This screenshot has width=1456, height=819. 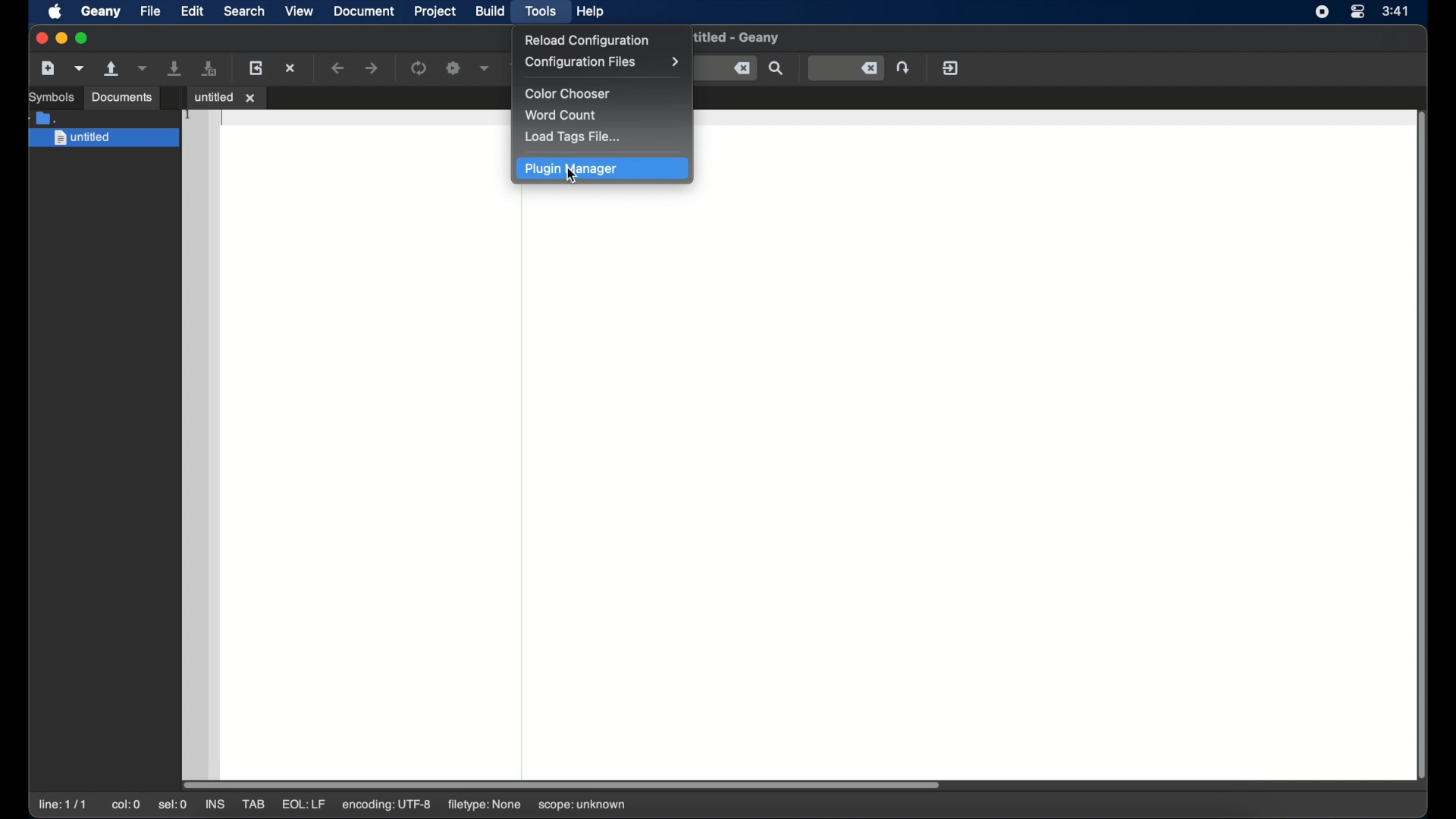 I want to click on folder, so click(x=43, y=118).